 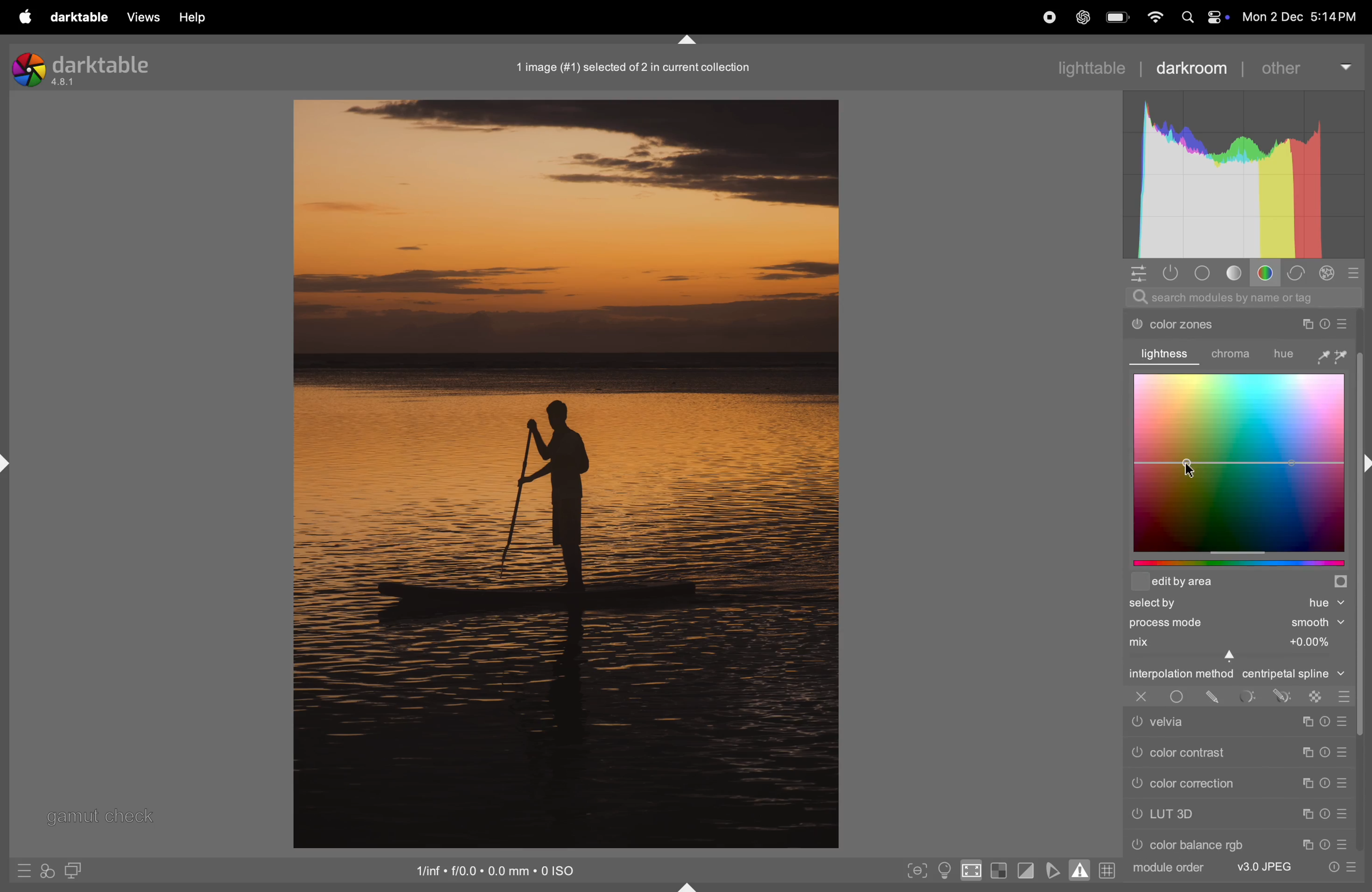 What do you see at coordinates (1055, 870) in the screenshot?
I see `toggle soft proffing` at bounding box center [1055, 870].